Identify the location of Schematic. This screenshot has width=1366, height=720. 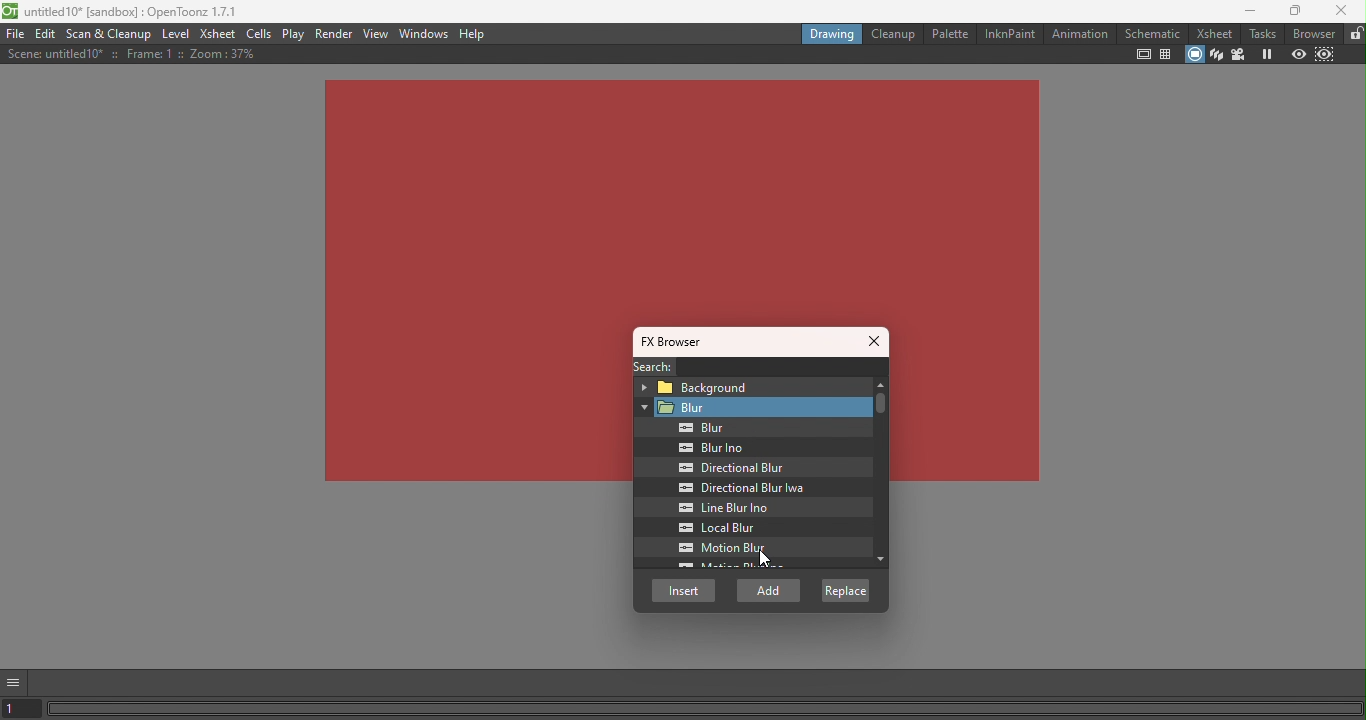
(1153, 33).